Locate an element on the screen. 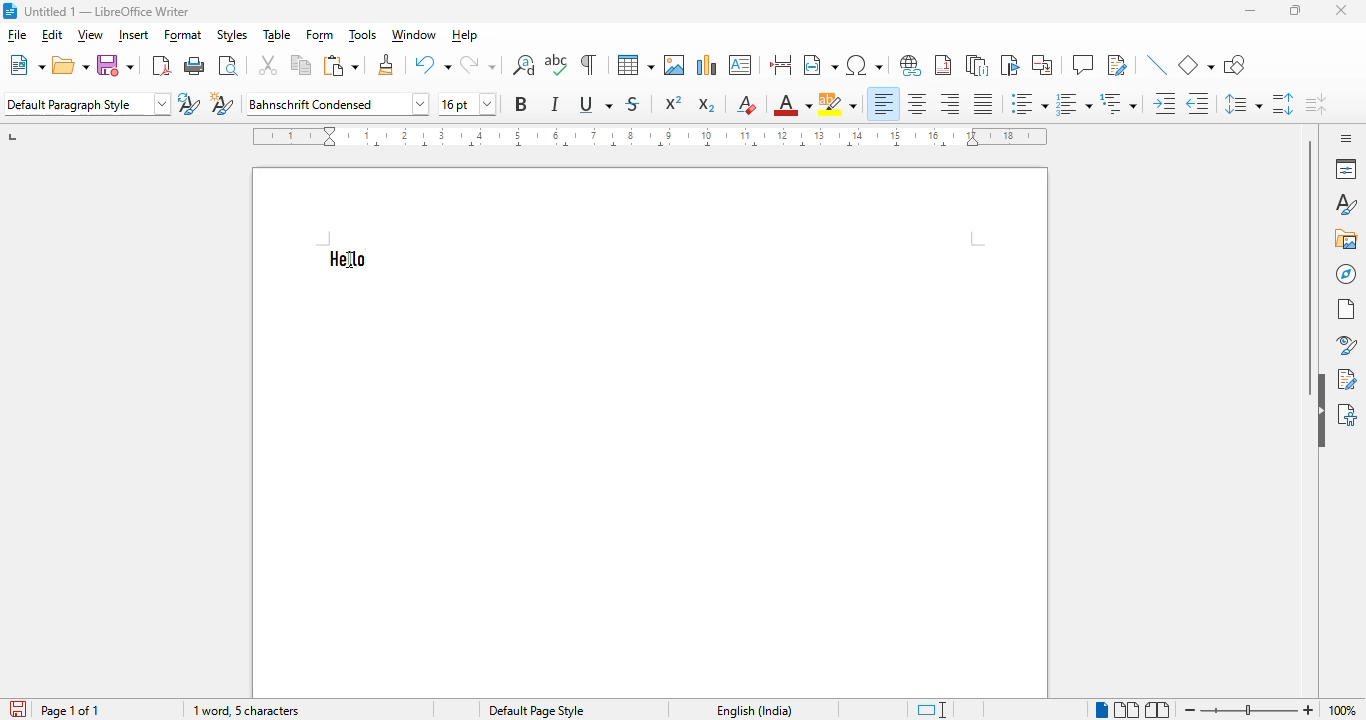  decrease paragraph spacing is located at coordinates (1317, 105).